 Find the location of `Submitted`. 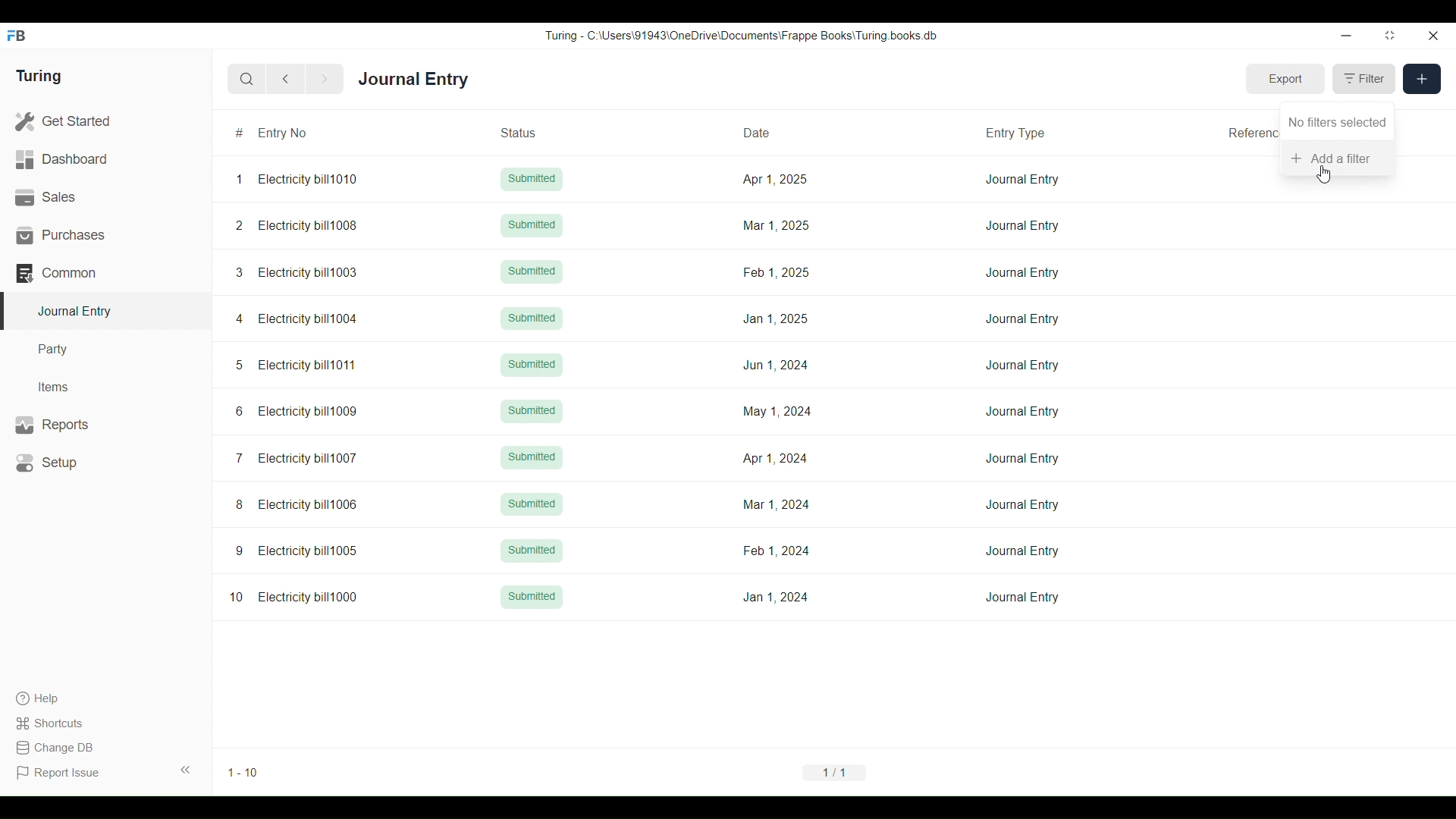

Submitted is located at coordinates (532, 550).